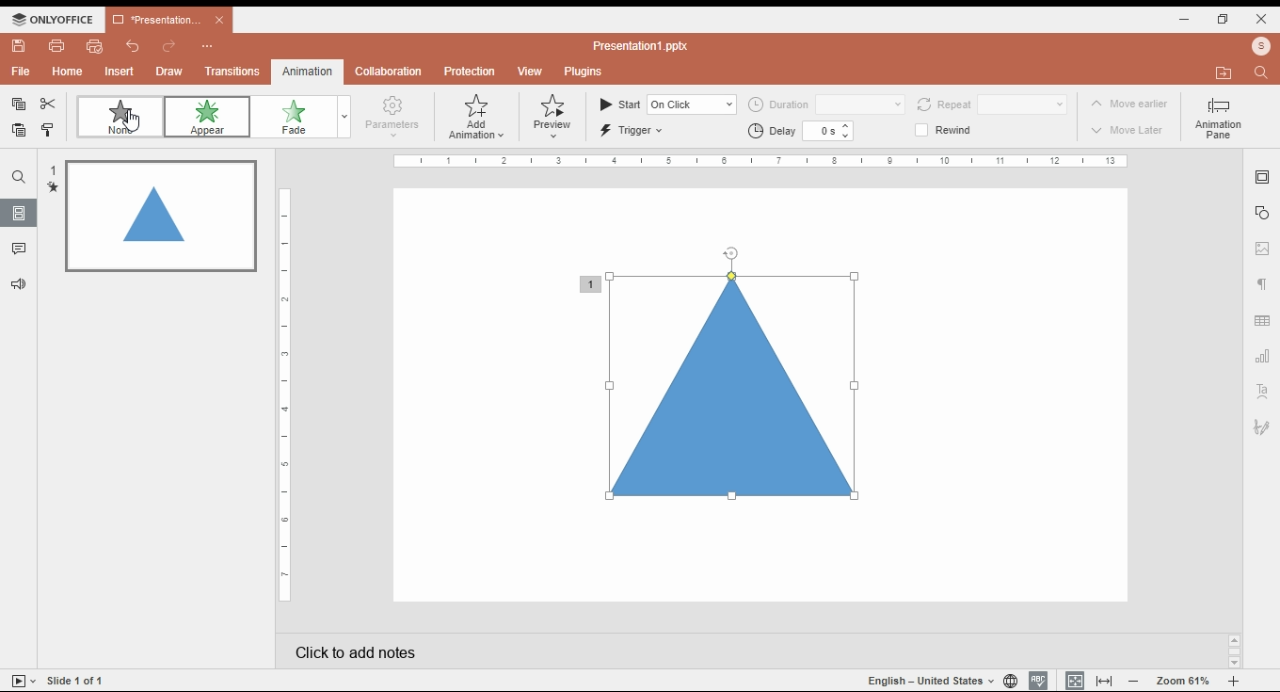  Describe the element at coordinates (1218, 120) in the screenshot. I see `animation pane` at that location.